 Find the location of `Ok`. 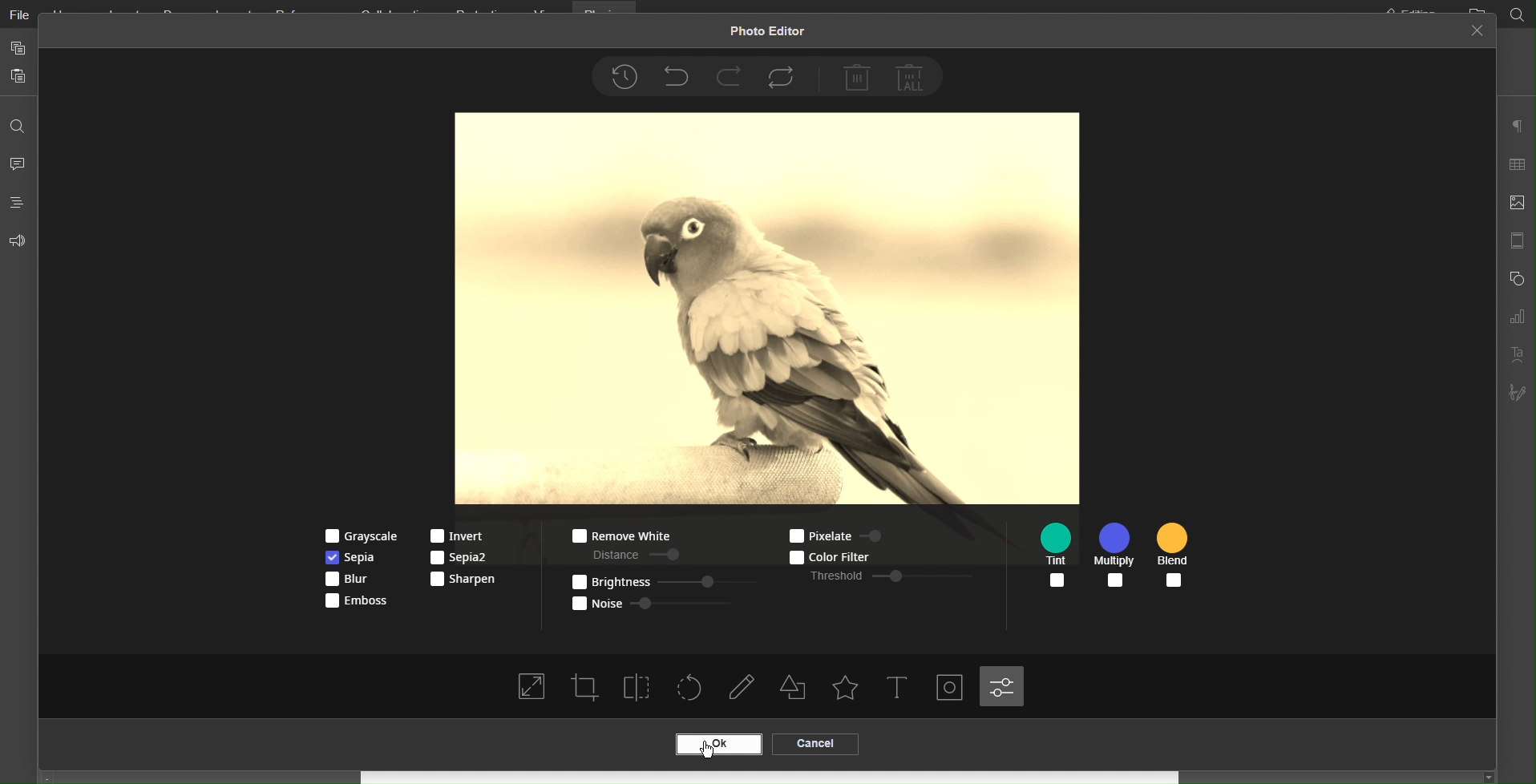

Ok is located at coordinates (717, 745).